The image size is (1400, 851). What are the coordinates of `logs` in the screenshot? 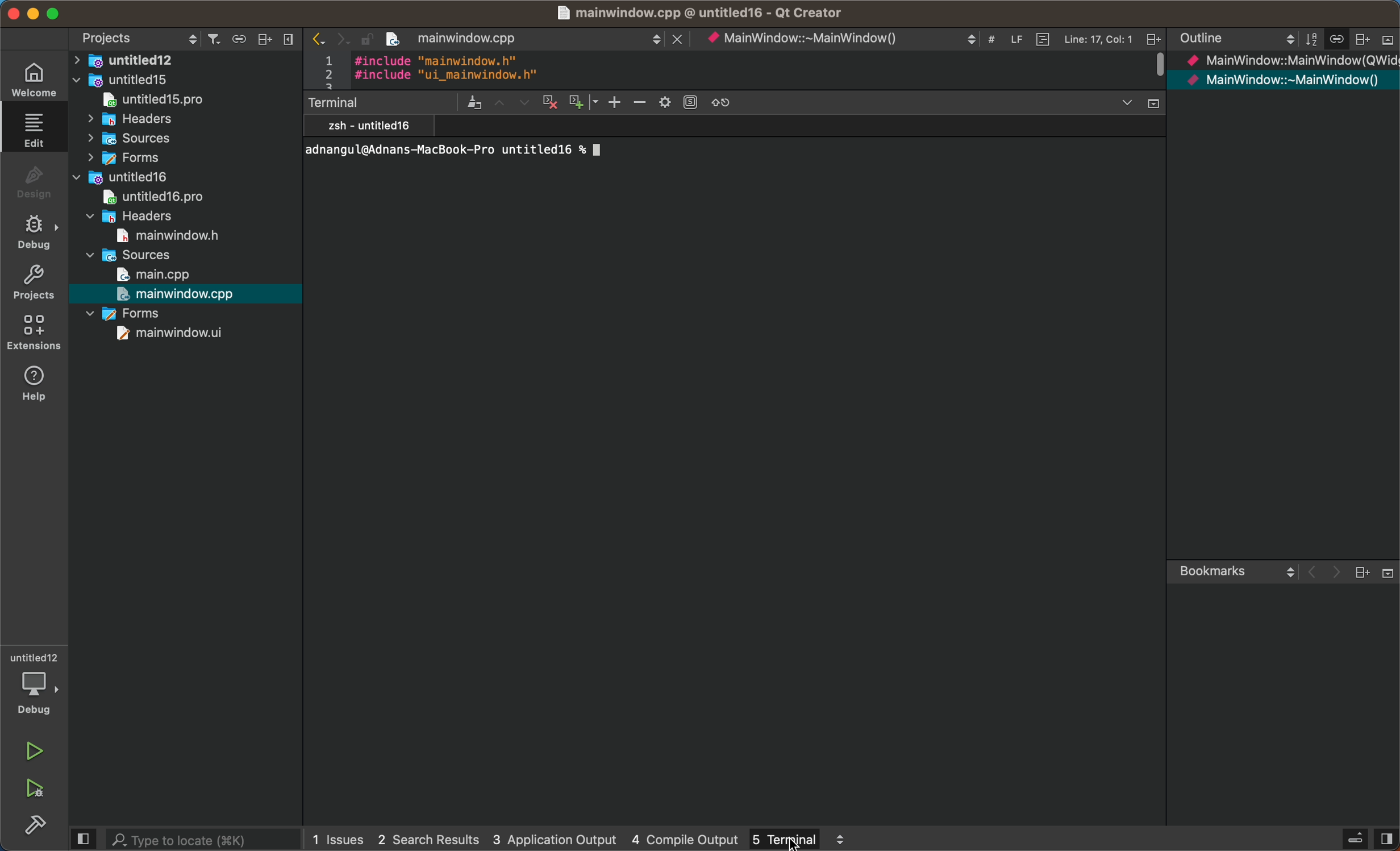 It's located at (522, 837).